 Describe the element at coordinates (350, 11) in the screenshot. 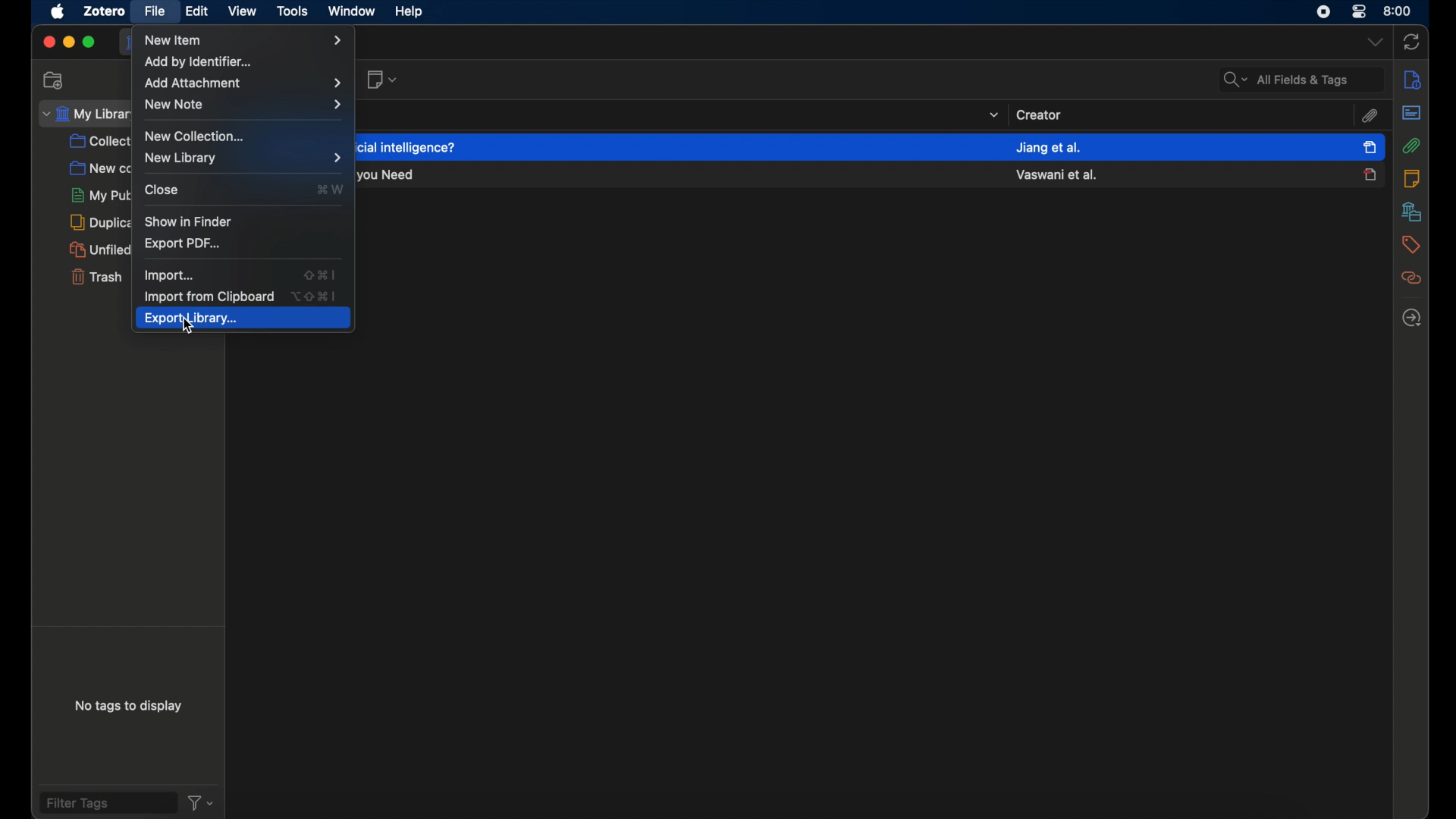

I see `window` at that location.